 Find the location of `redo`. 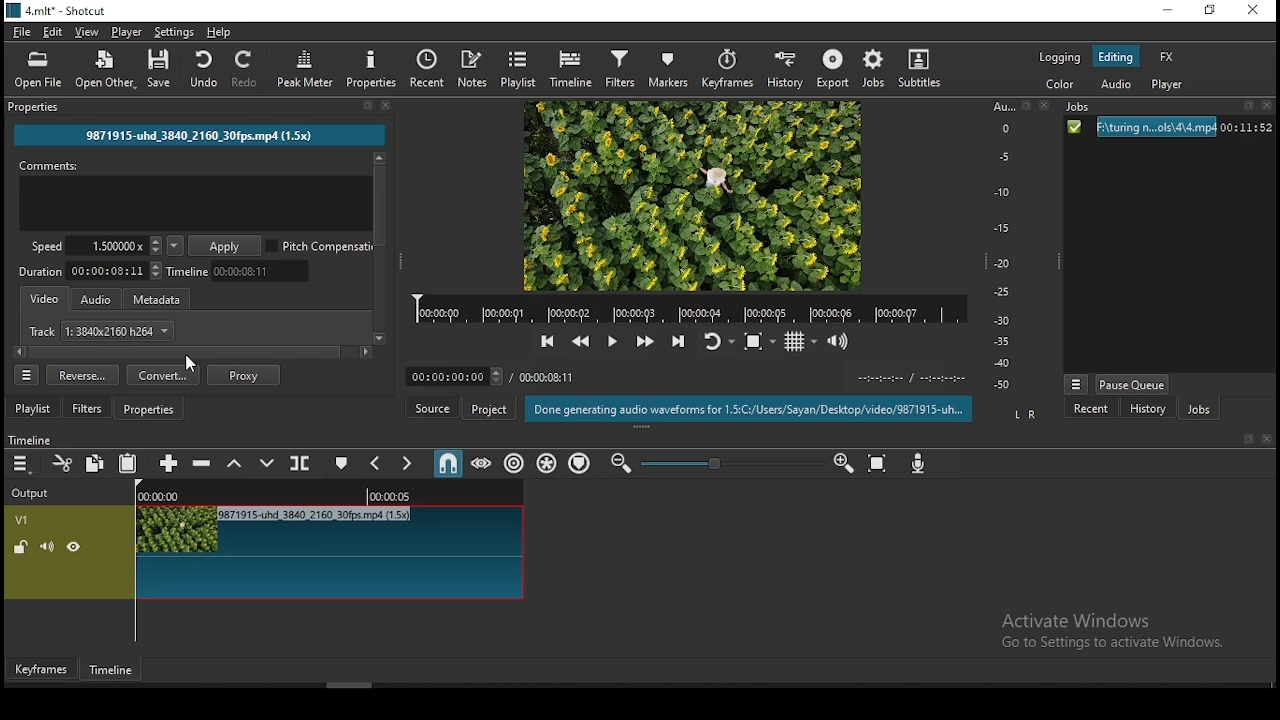

redo is located at coordinates (250, 69).